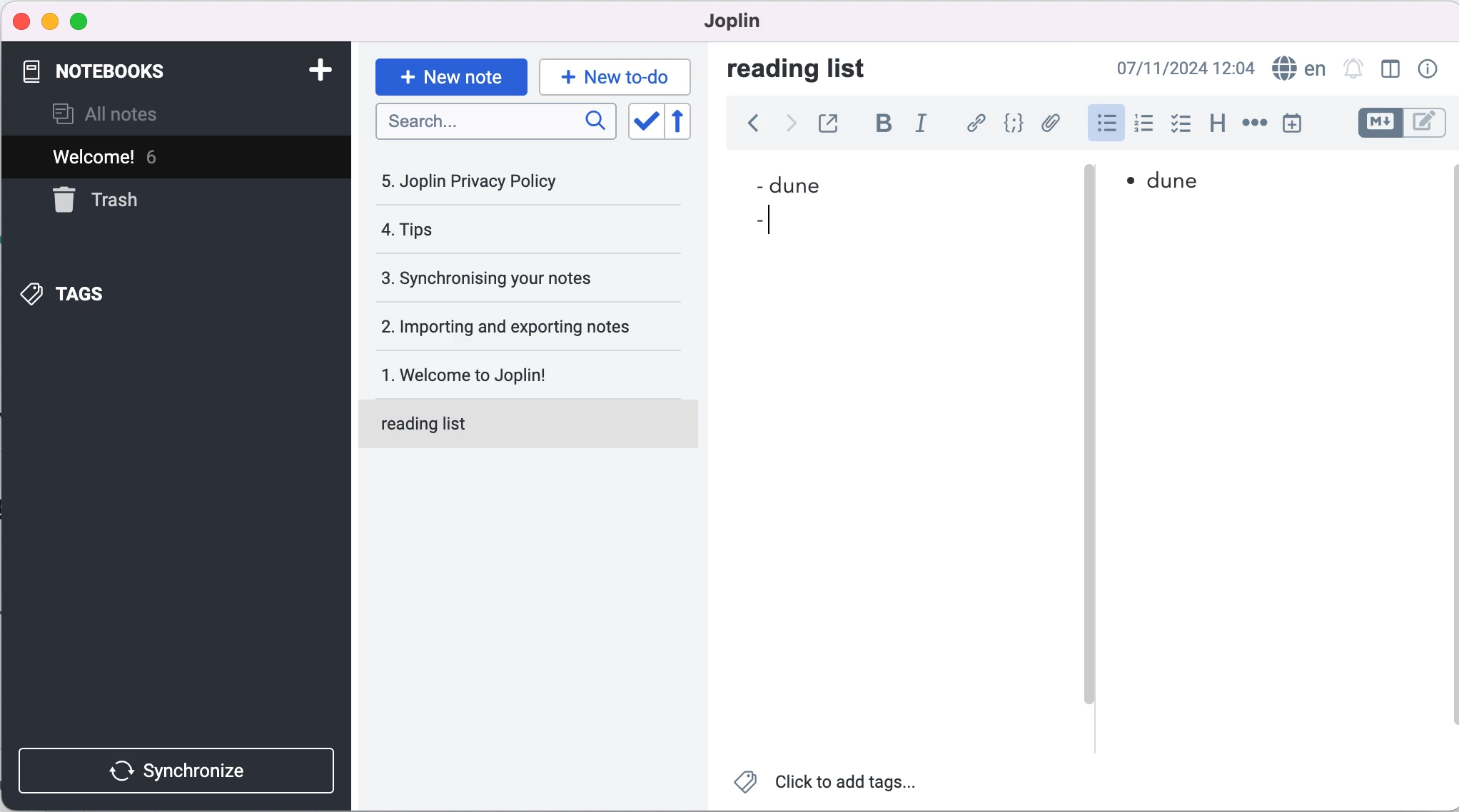  What do you see at coordinates (111, 206) in the screenshot?
I see `trash` at bounding box center [111, 206].